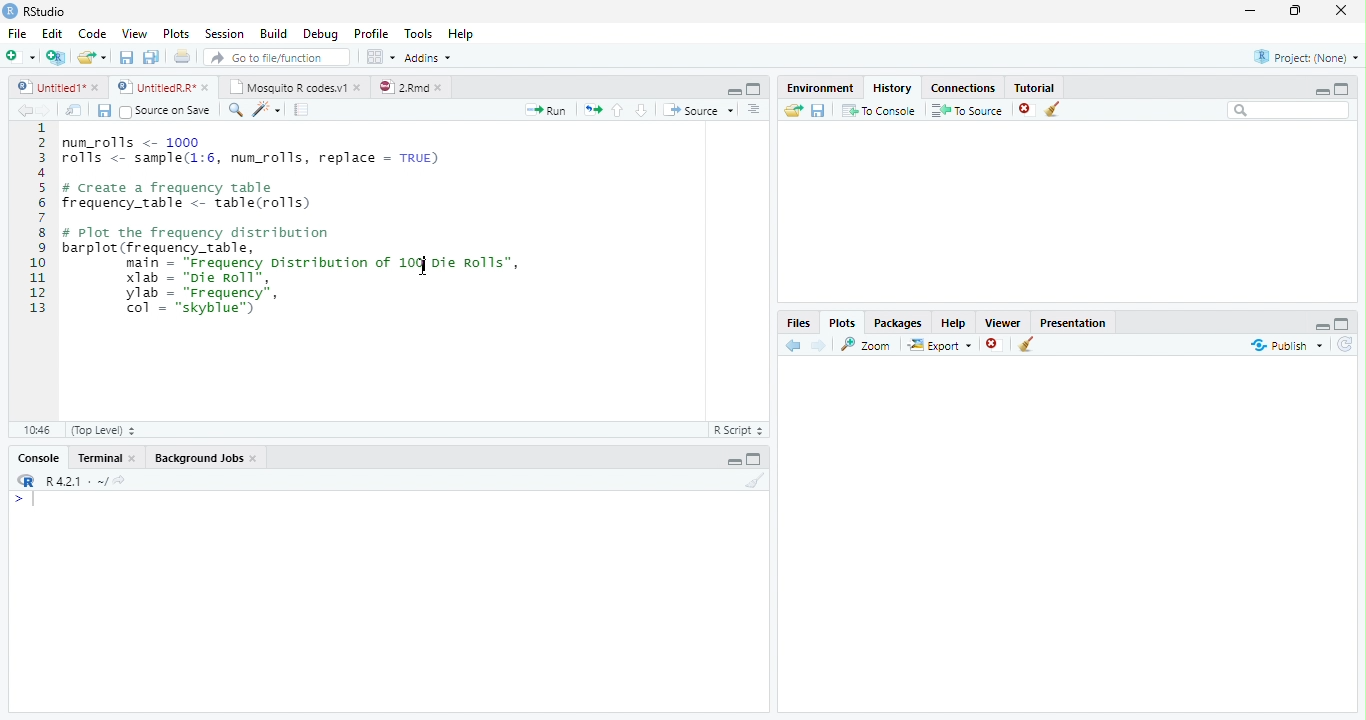 This screenshot has width=1366, height=720. Describe the element at coordinates (793, 110) in the screenshot. I see `Load History from existing file` at that location.